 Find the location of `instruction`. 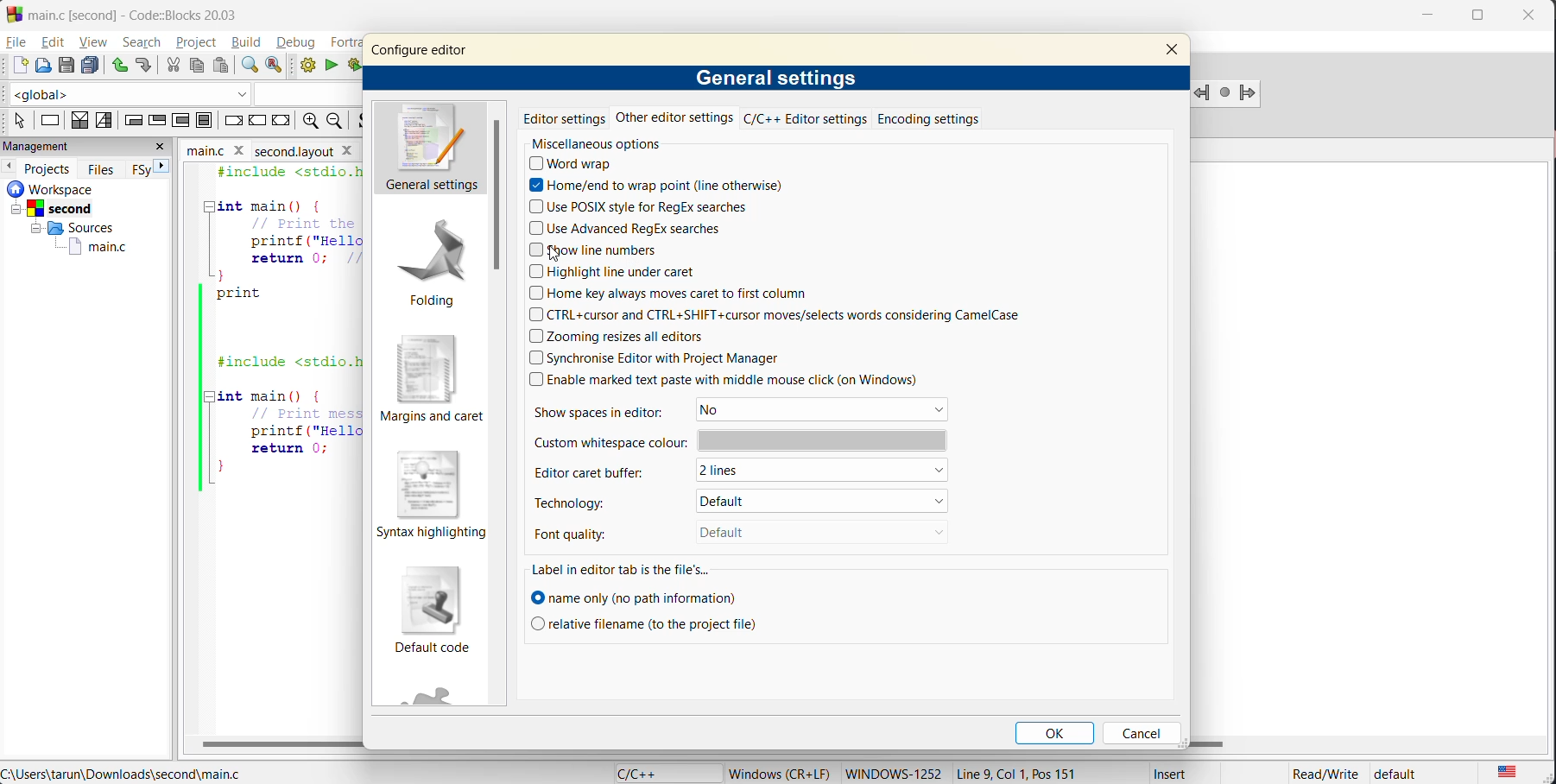

instruction is located at coordinates (51, 120).